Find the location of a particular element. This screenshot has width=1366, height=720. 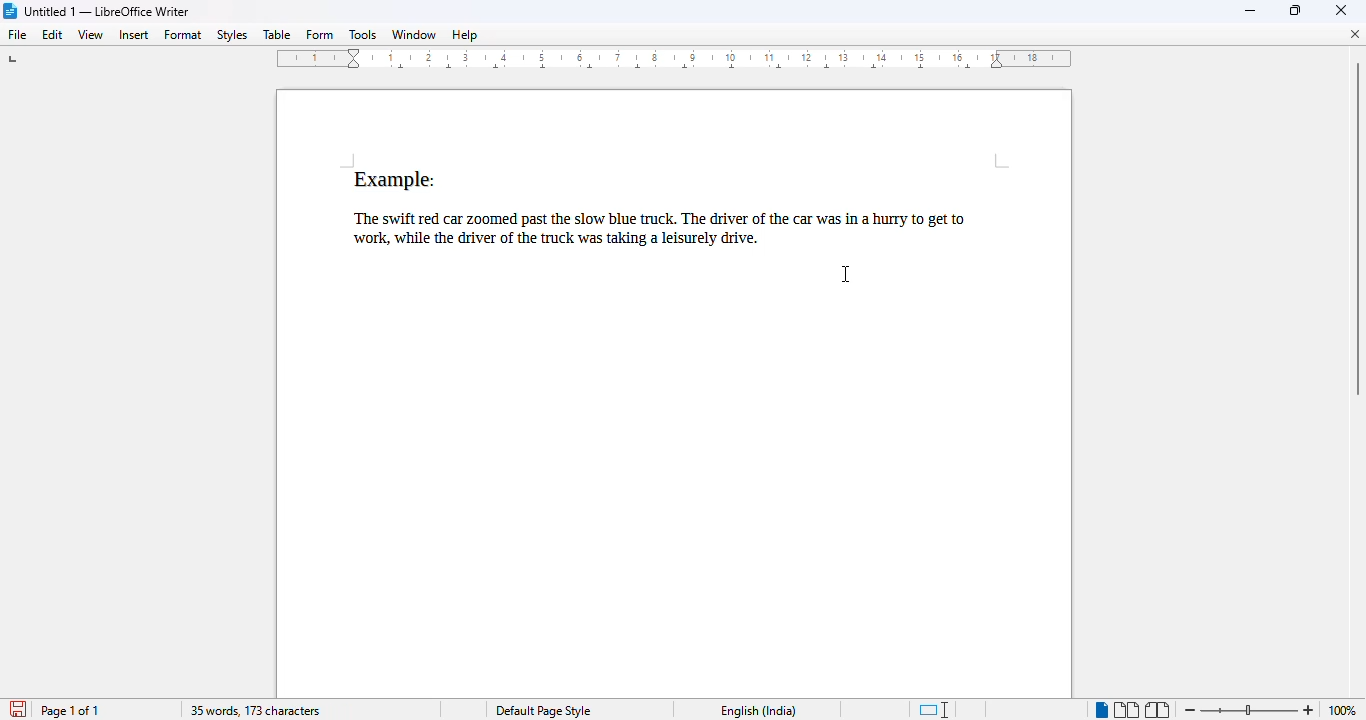

Zoom in is located at coordinates (1310, 707).